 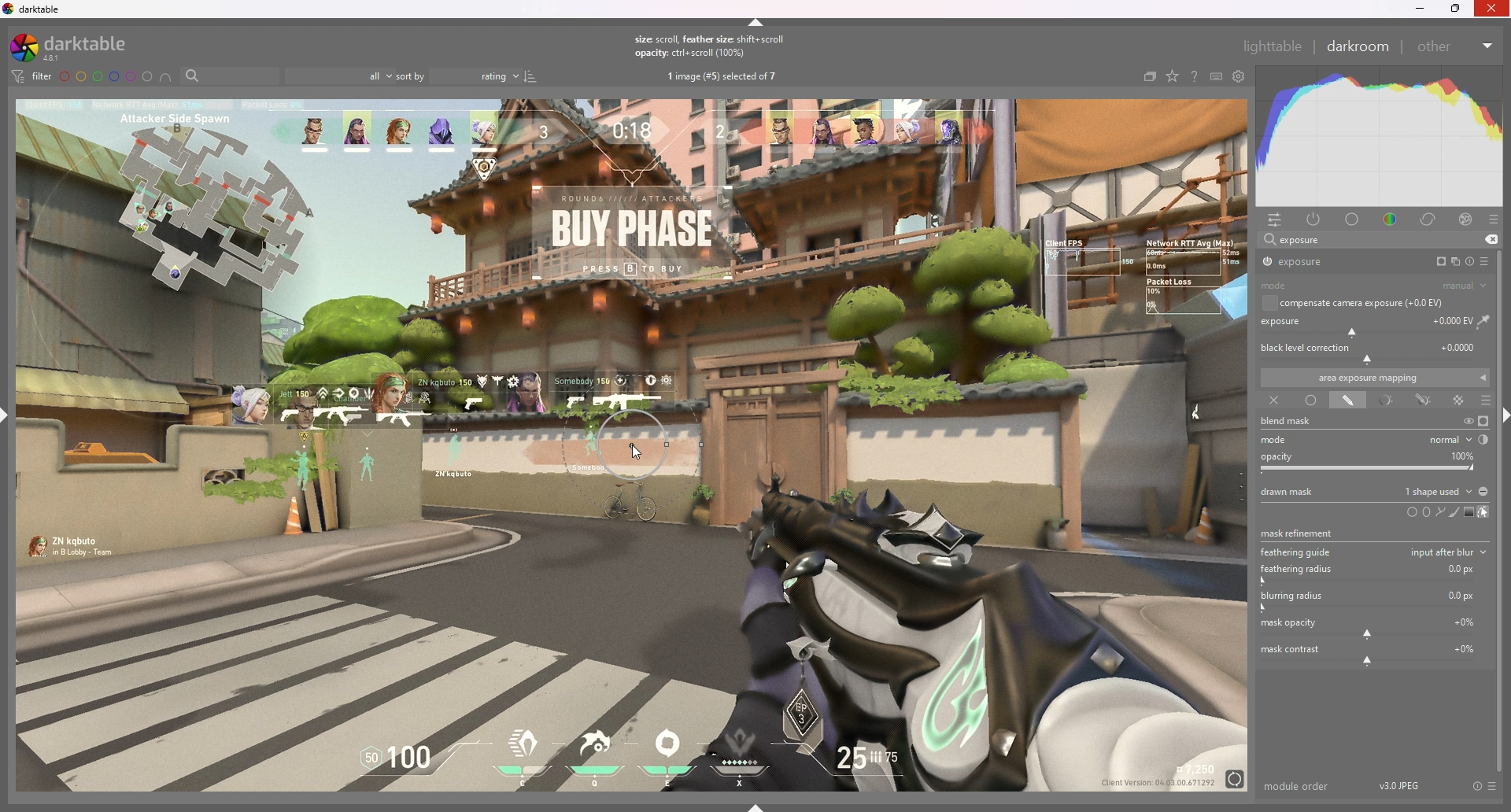 What do you see at coordinates (1390, 220) in the screenshot?
I see `color` at bounding box center [1390, 220].